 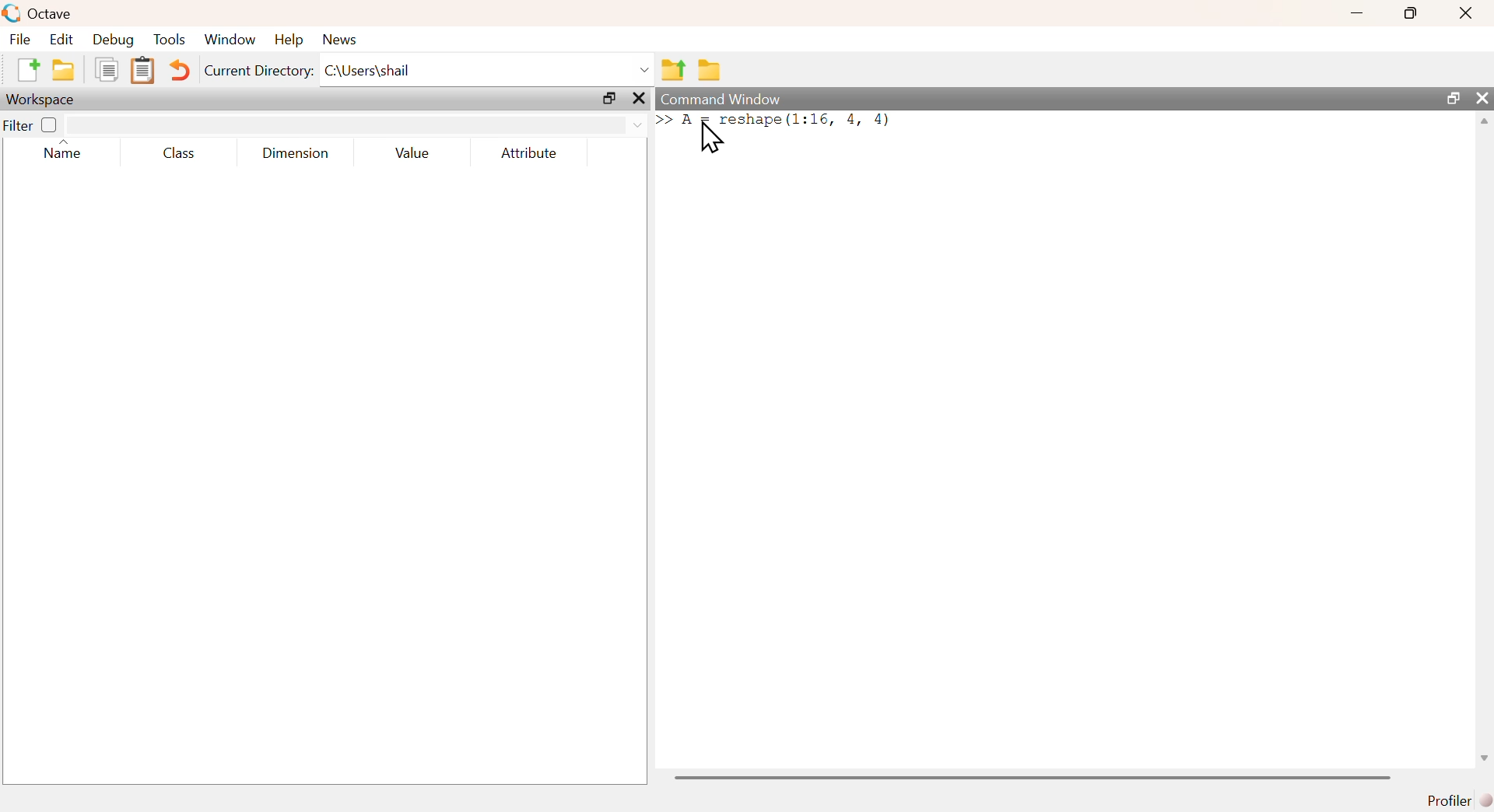 I want to click on open an existing file in editor, so click(x=65, y=70).